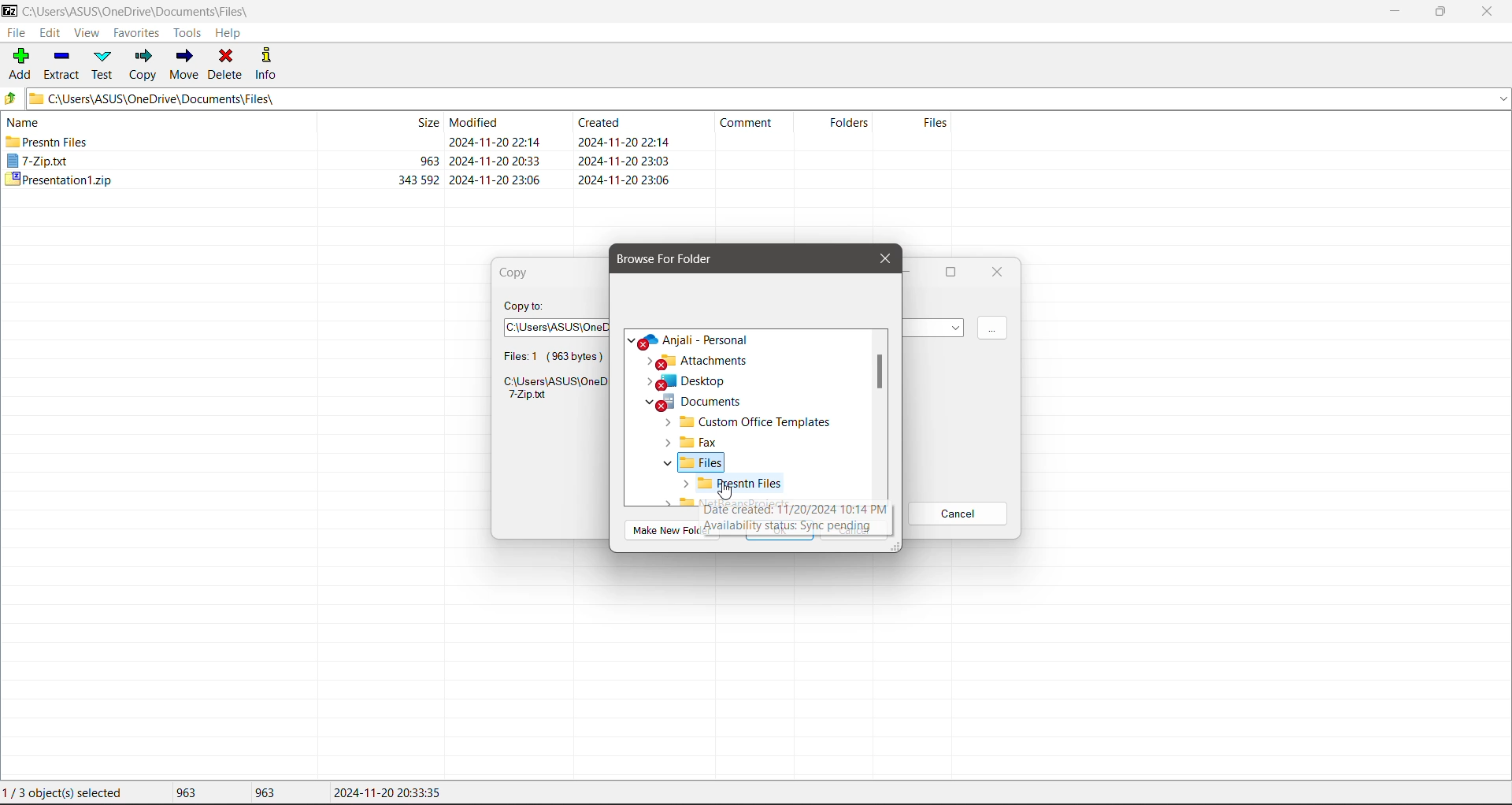 The image size is (1512, 805). Describe the element at coordinates (57, 180) in the screenshot. I see `Presentation1.zip` at that location.